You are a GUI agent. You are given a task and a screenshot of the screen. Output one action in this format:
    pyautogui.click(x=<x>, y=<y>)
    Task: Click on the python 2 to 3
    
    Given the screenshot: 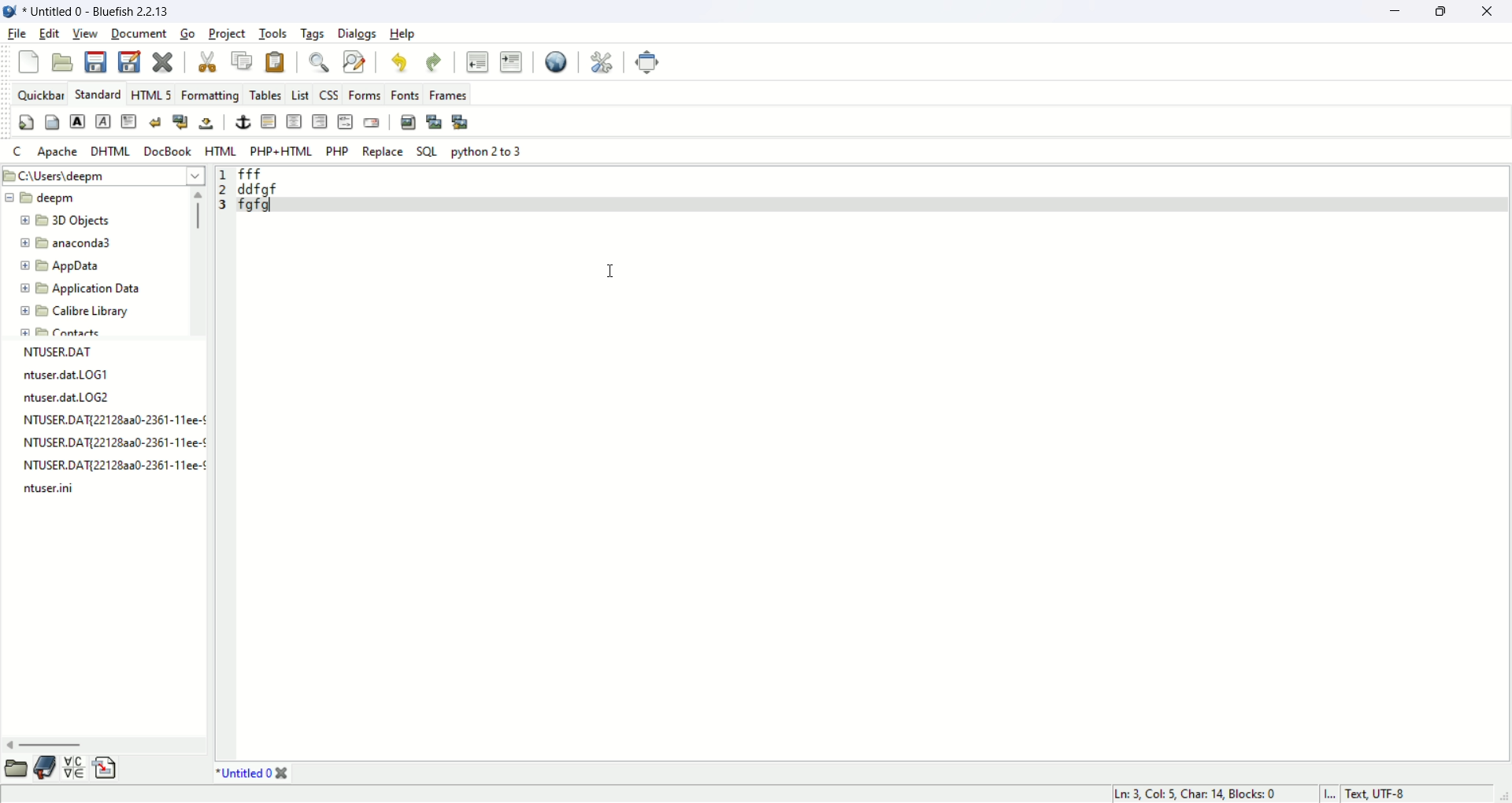 What is the action you would take?
    pyautogui.click(x=486, y=150)
    